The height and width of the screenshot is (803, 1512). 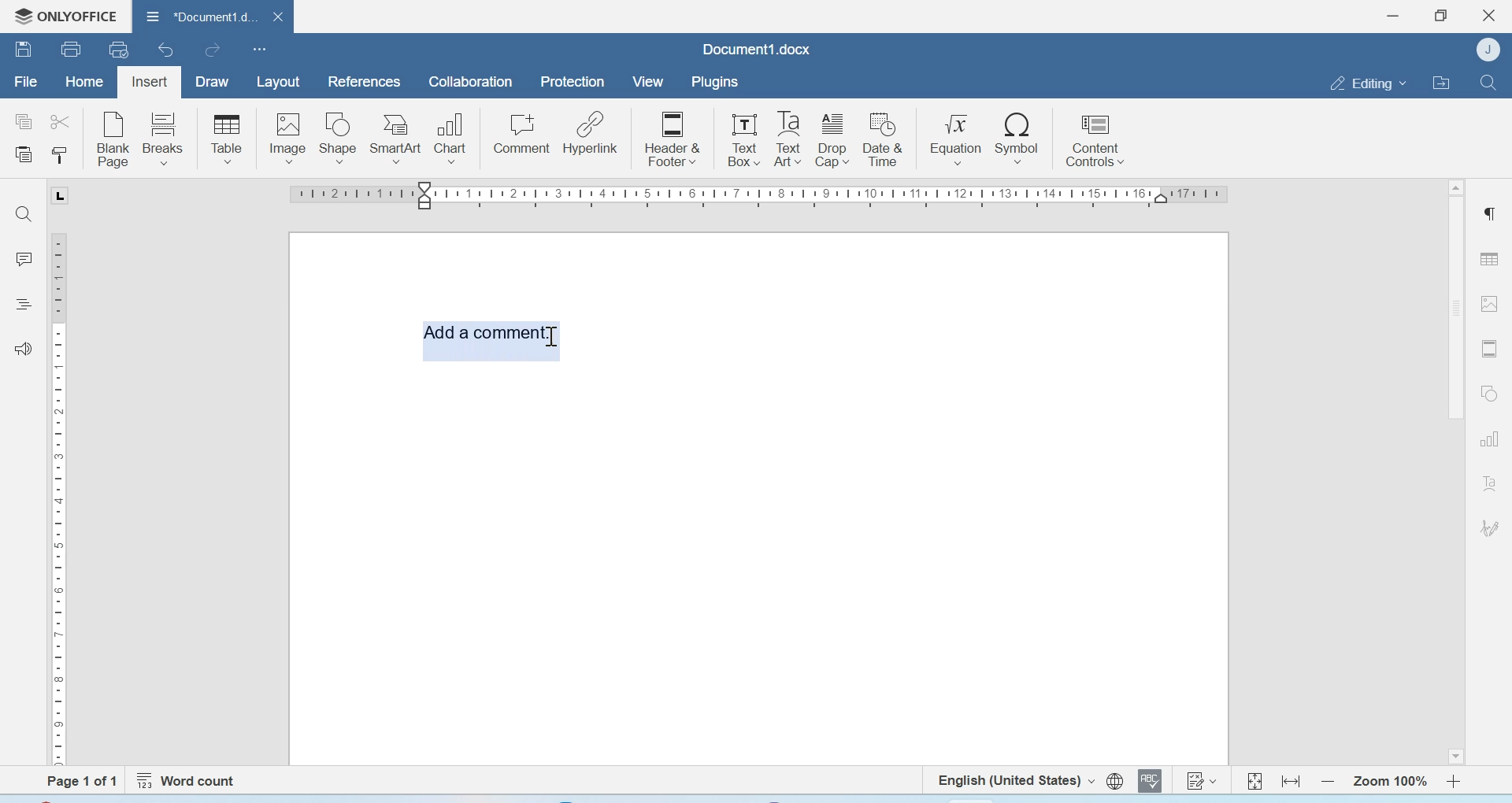 I want to click on Find, so click(x=1487, y=82).